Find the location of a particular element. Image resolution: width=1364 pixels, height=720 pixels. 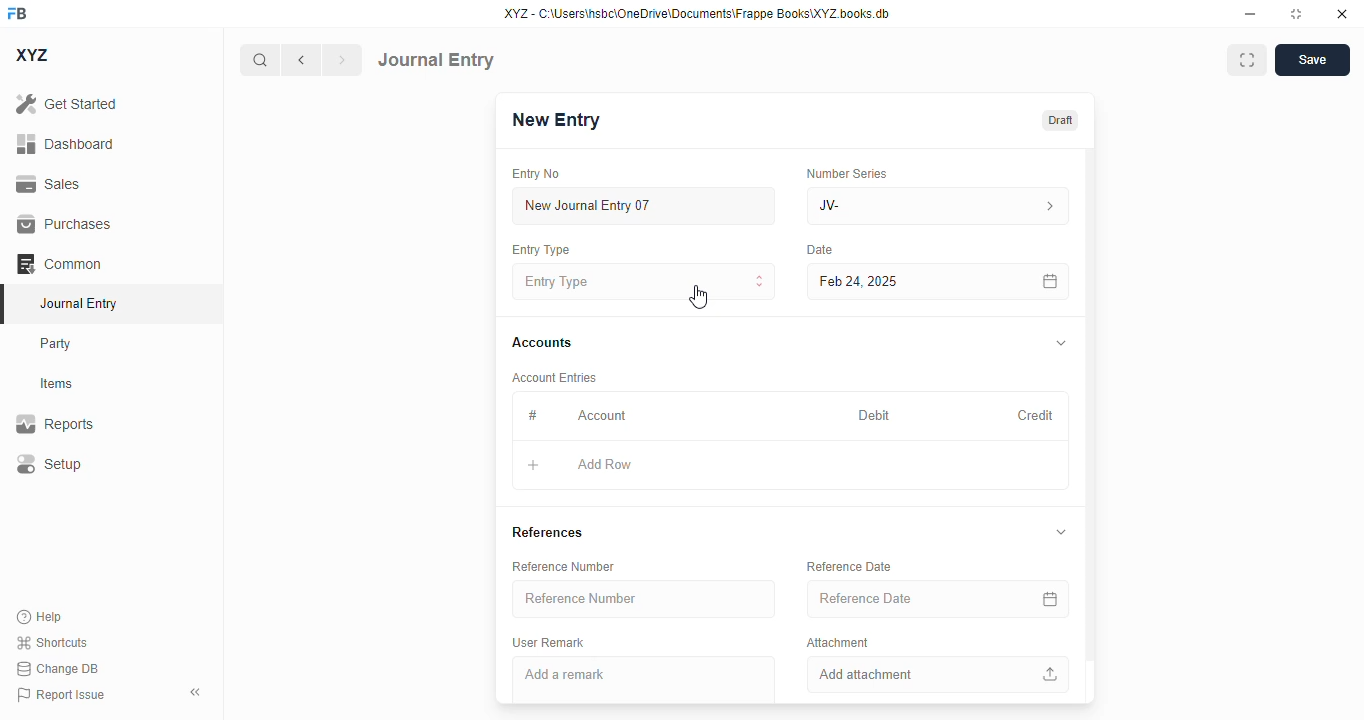

add row is located at coordinates (604, 464).